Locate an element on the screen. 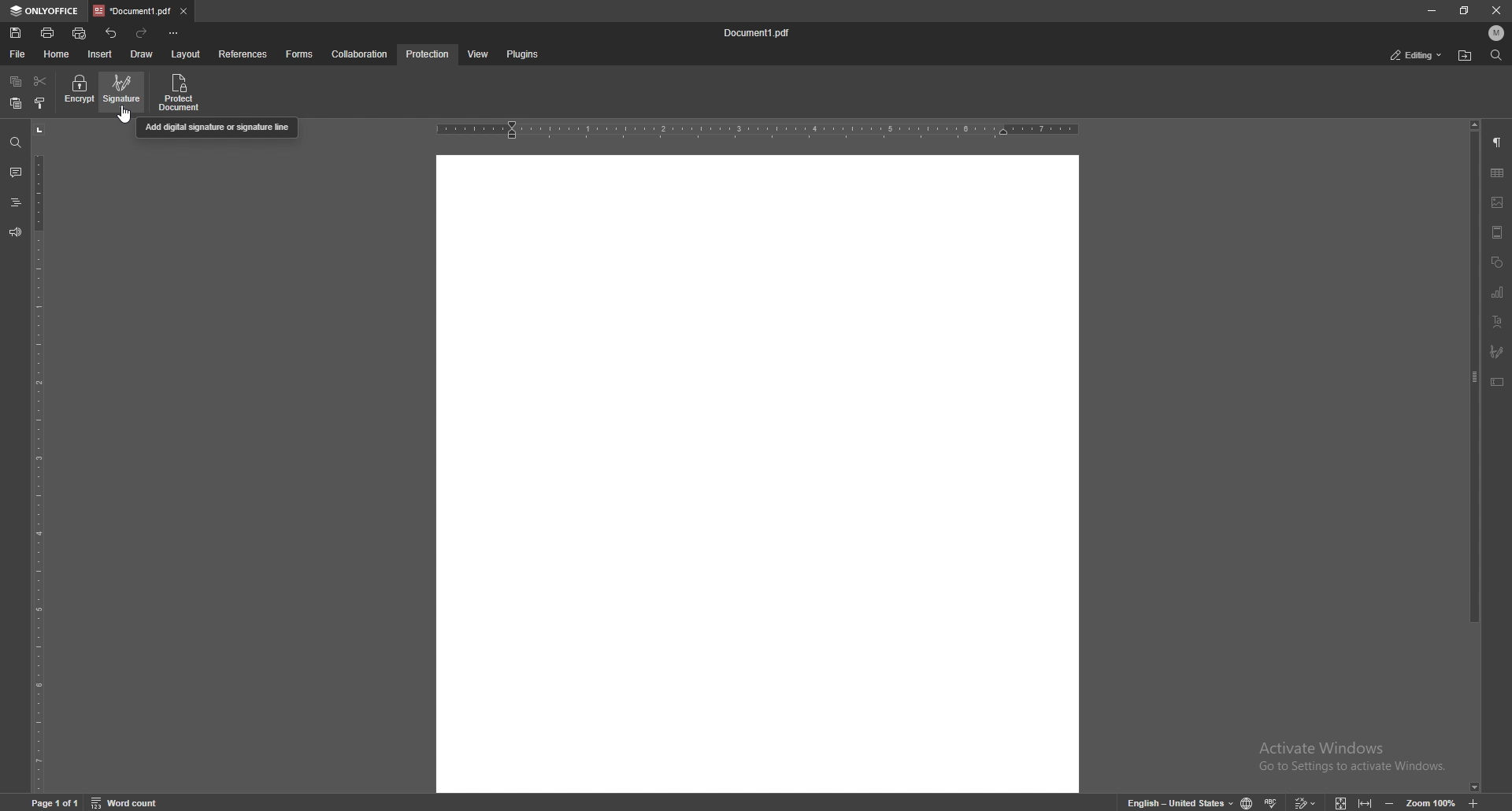  Activate windows is located at coordinates (1340, 751).